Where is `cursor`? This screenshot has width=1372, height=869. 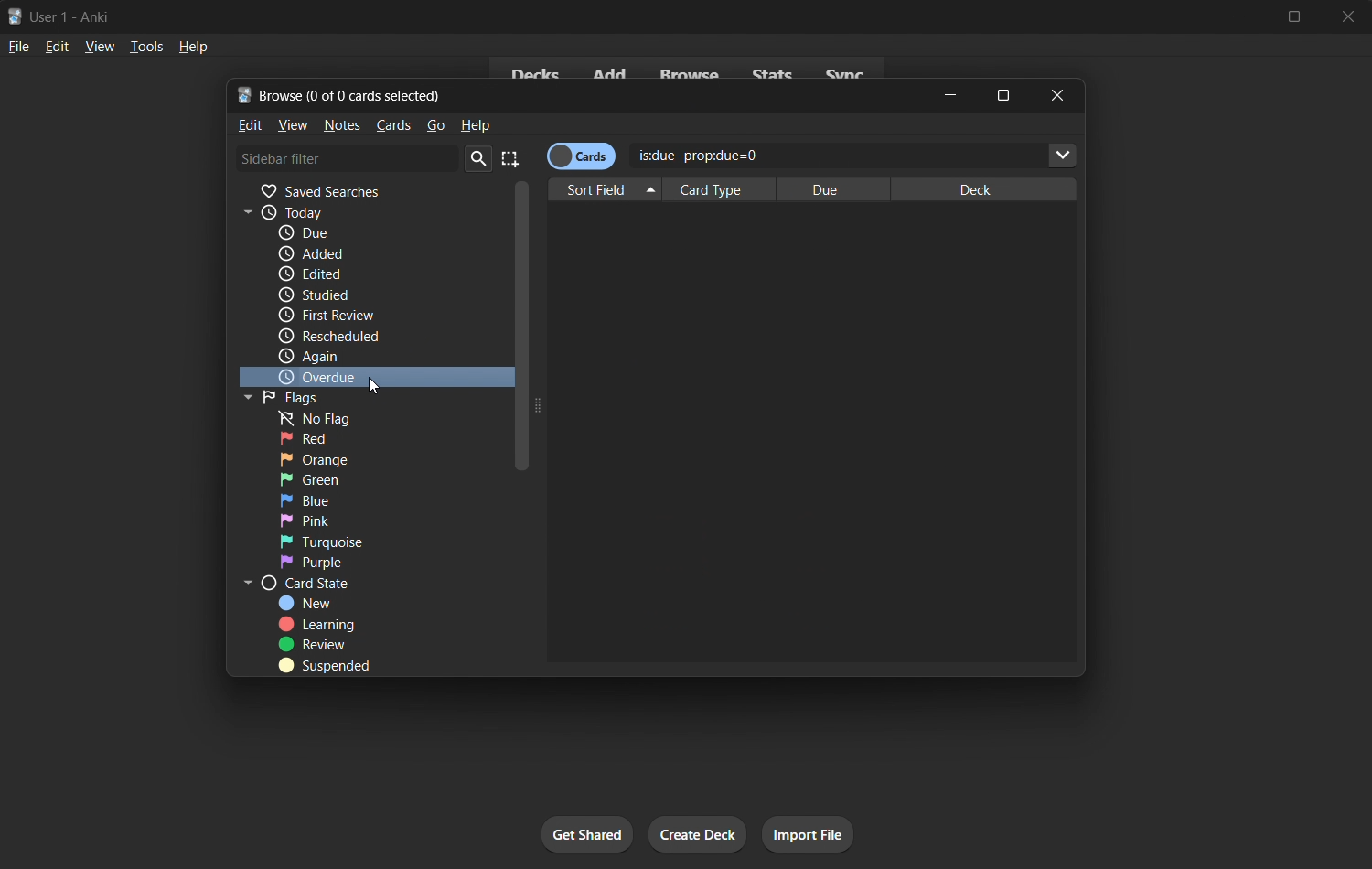
cursor is located at coordinates (372, 385).